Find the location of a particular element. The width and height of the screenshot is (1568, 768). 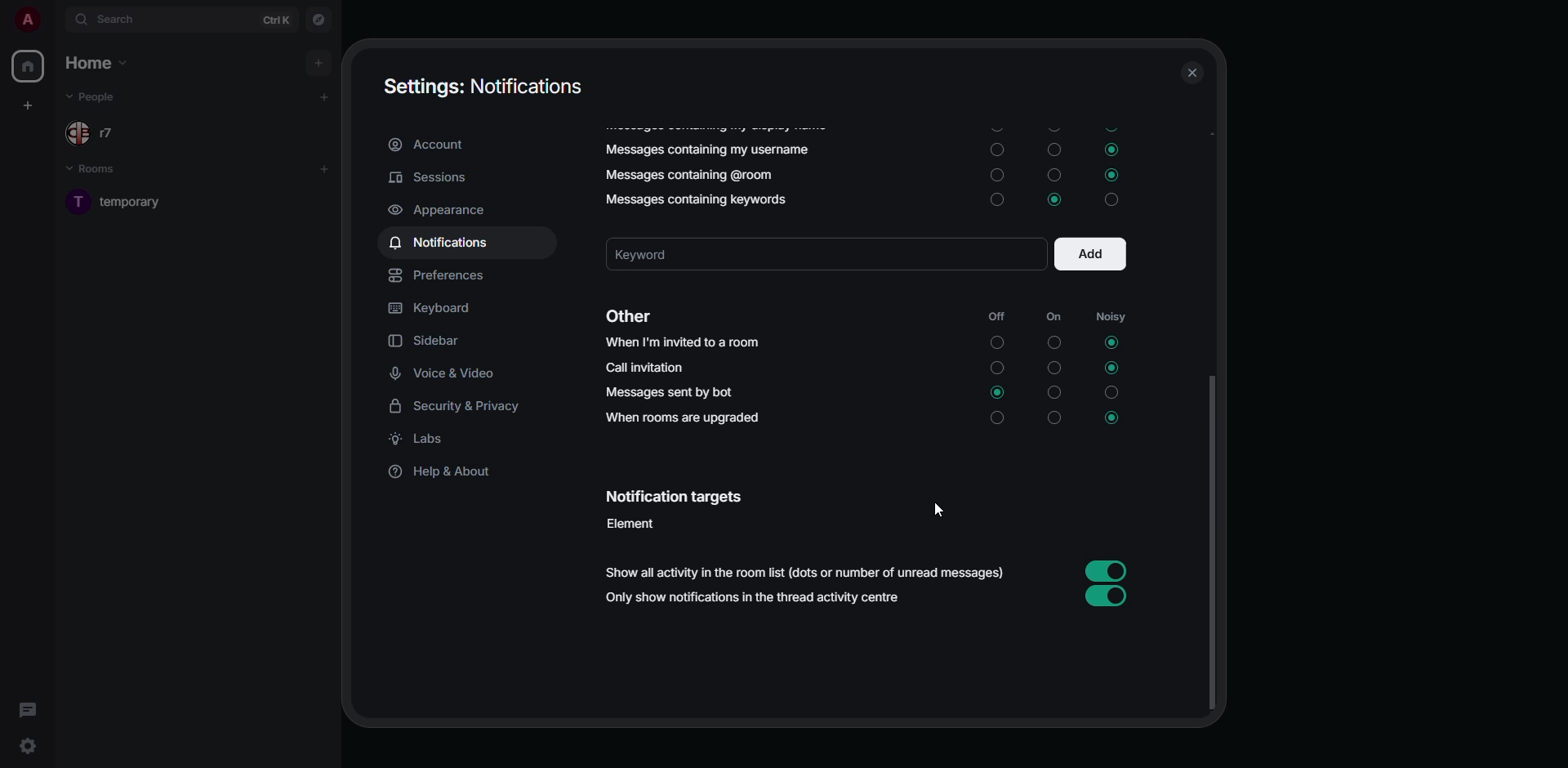

enabled is located at coordinates (1108, 569).